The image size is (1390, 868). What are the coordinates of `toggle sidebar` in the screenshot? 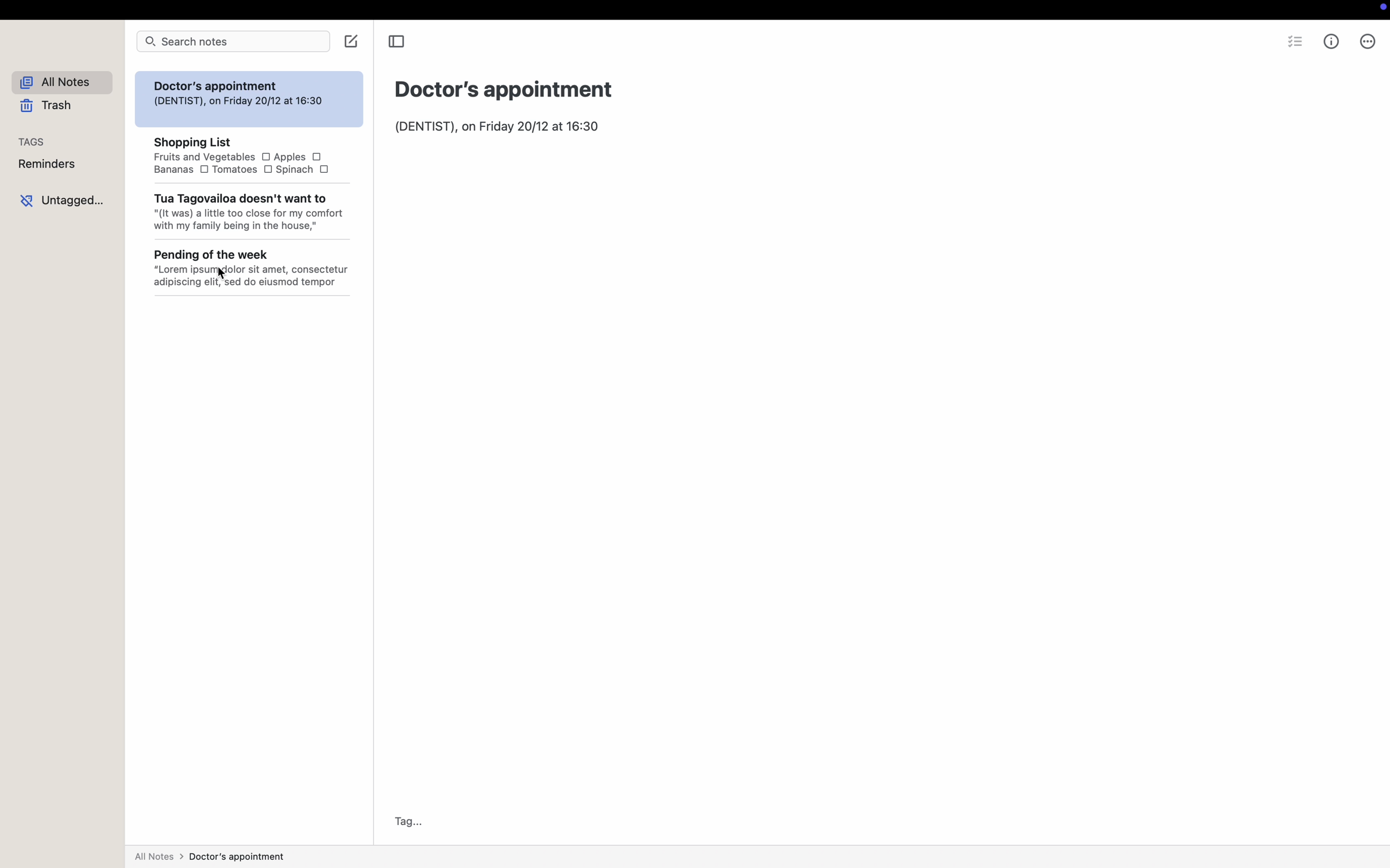 It's located at (396, 41).